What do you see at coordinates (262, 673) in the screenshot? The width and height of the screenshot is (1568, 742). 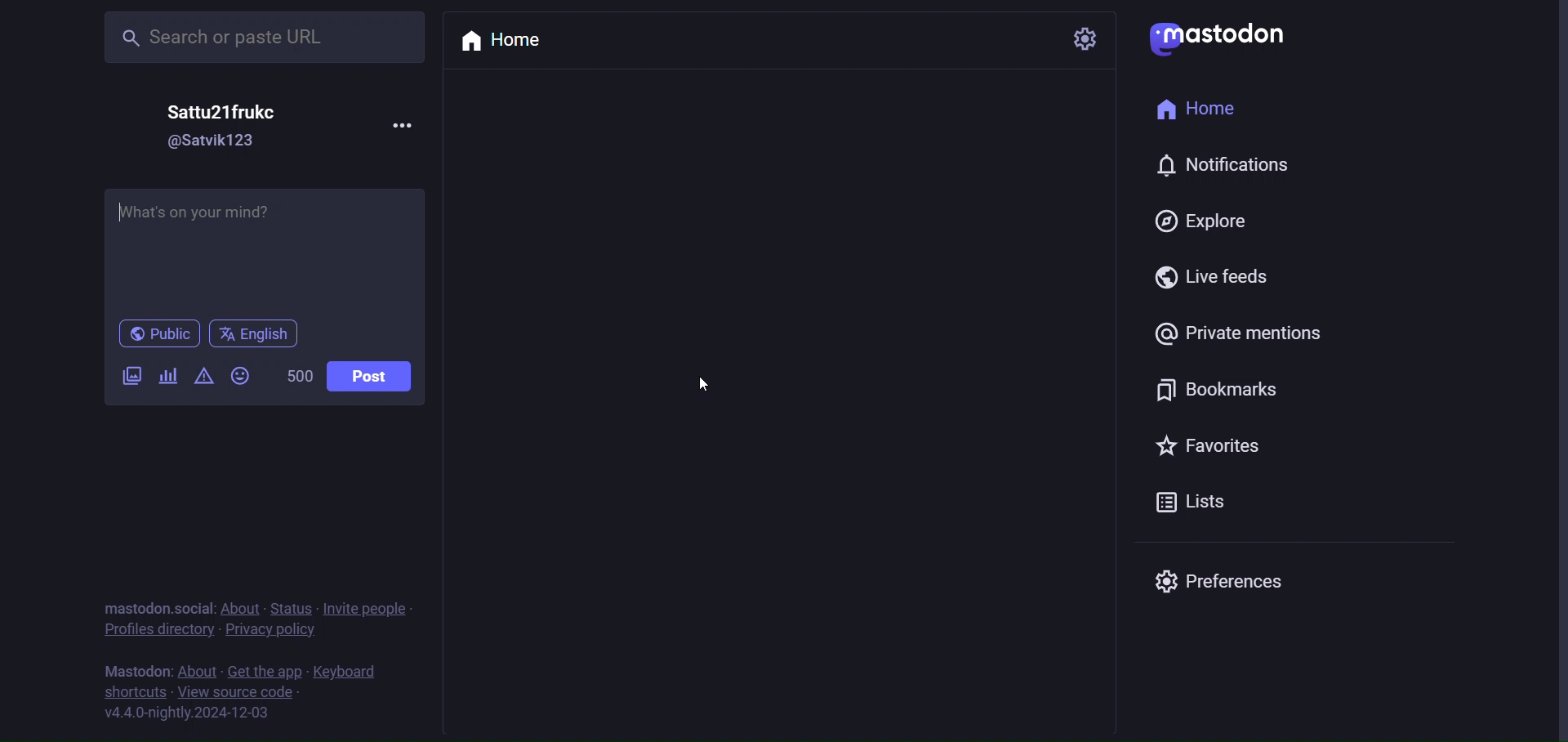 I see `get the app` at bounding box center [262, 673].